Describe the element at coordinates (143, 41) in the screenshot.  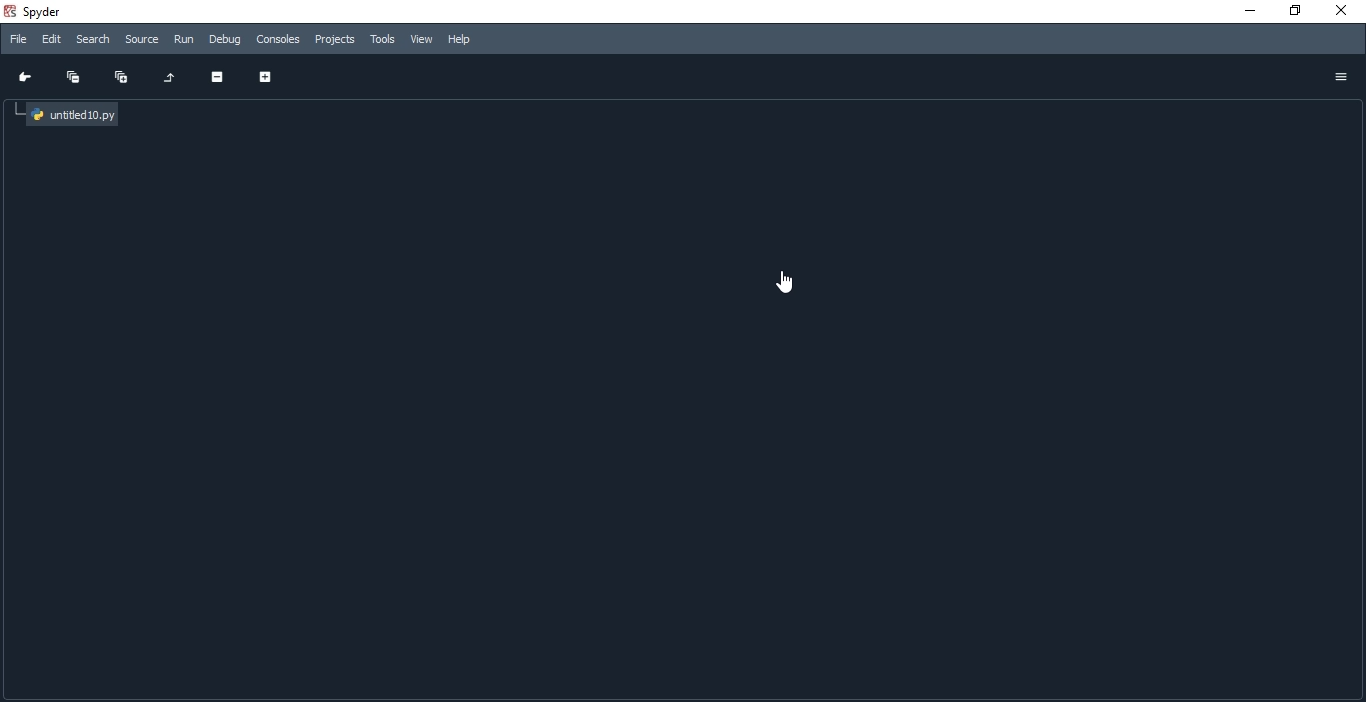
I see `source` at that location.